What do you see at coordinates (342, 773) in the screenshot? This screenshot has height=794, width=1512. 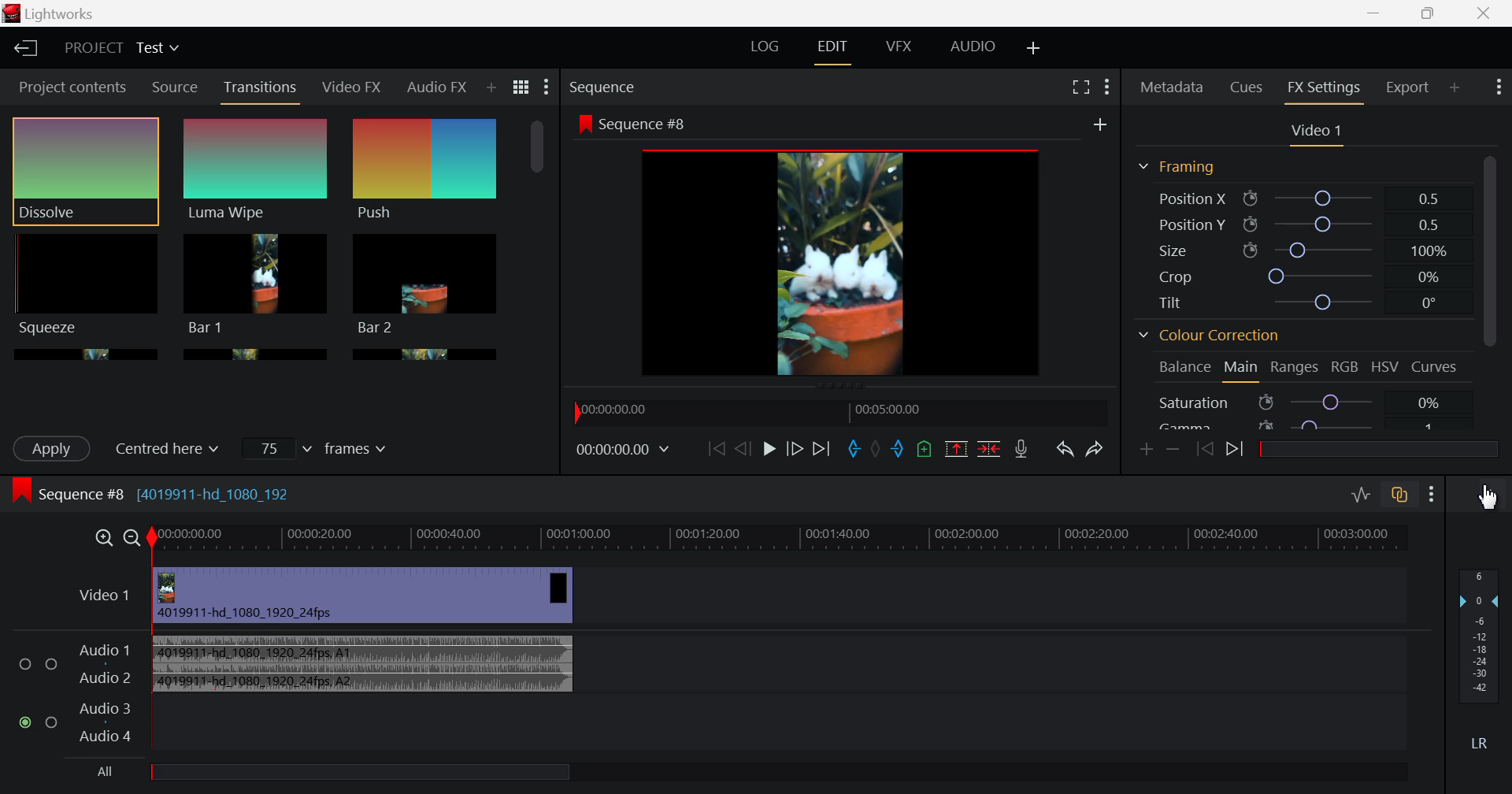 I see `All` at bounding box center [342, 773].